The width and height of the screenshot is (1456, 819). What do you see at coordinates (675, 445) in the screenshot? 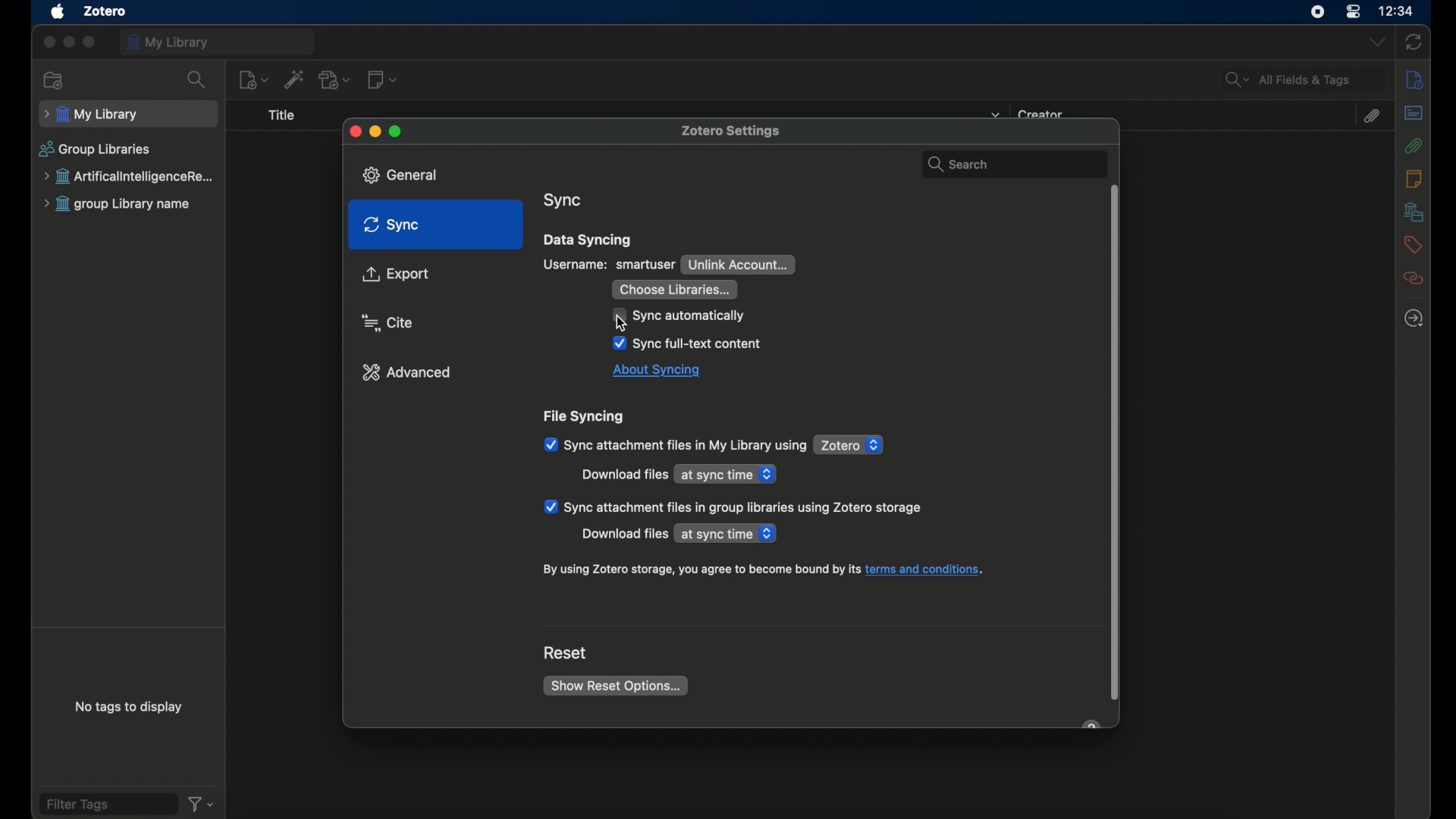
I see `sync attachment files in my library using check box` at bounding box center [675, 445].